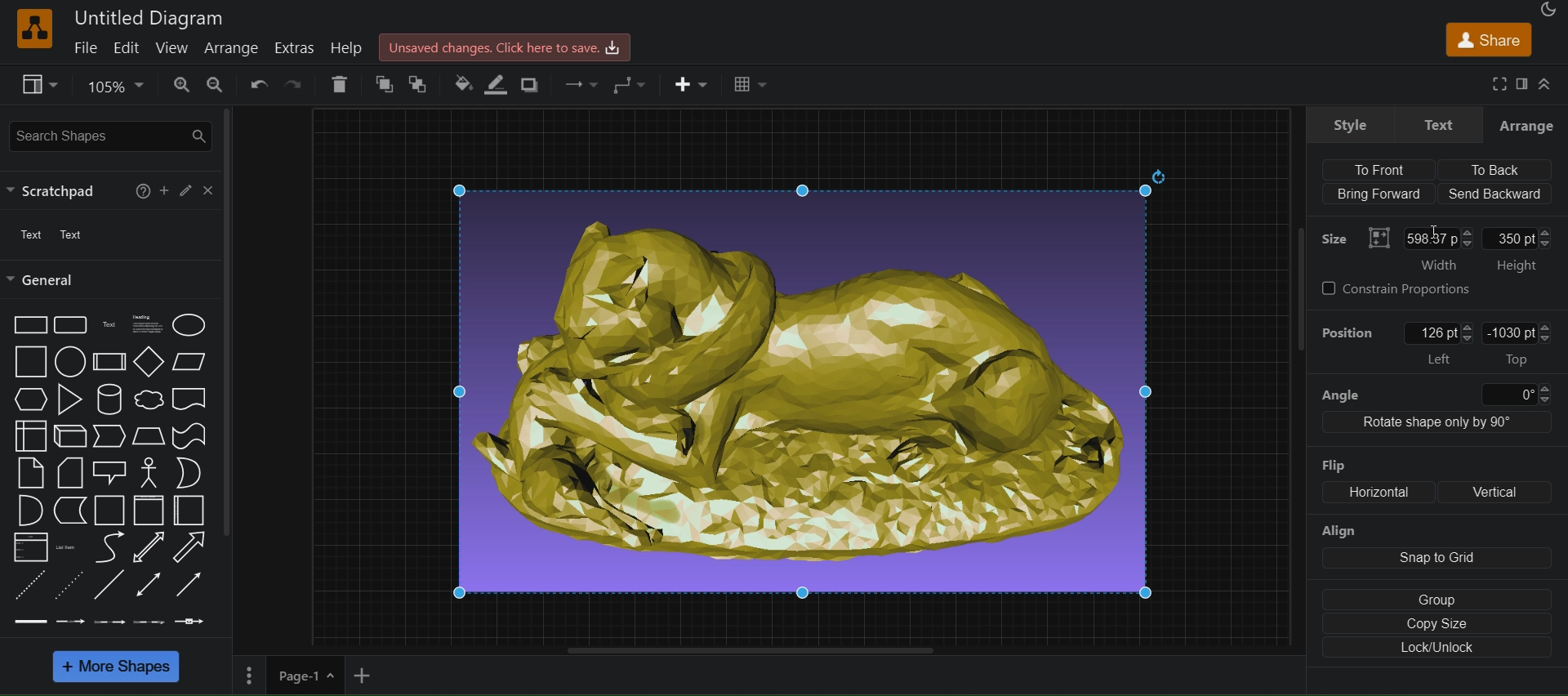  I want to click on add new page, so click(369, 676).